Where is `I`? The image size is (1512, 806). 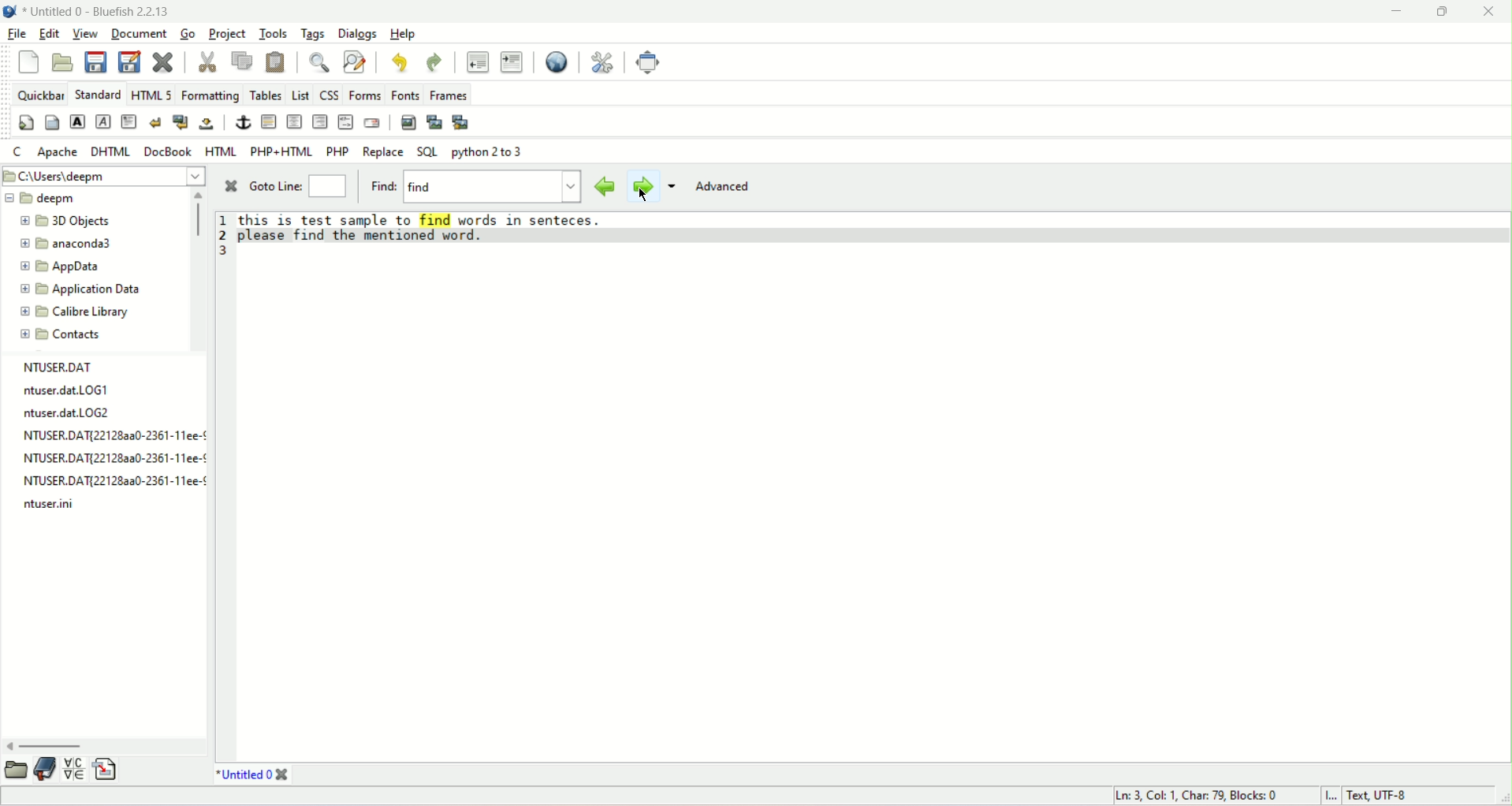 I is located at coordinates (1331, 797).